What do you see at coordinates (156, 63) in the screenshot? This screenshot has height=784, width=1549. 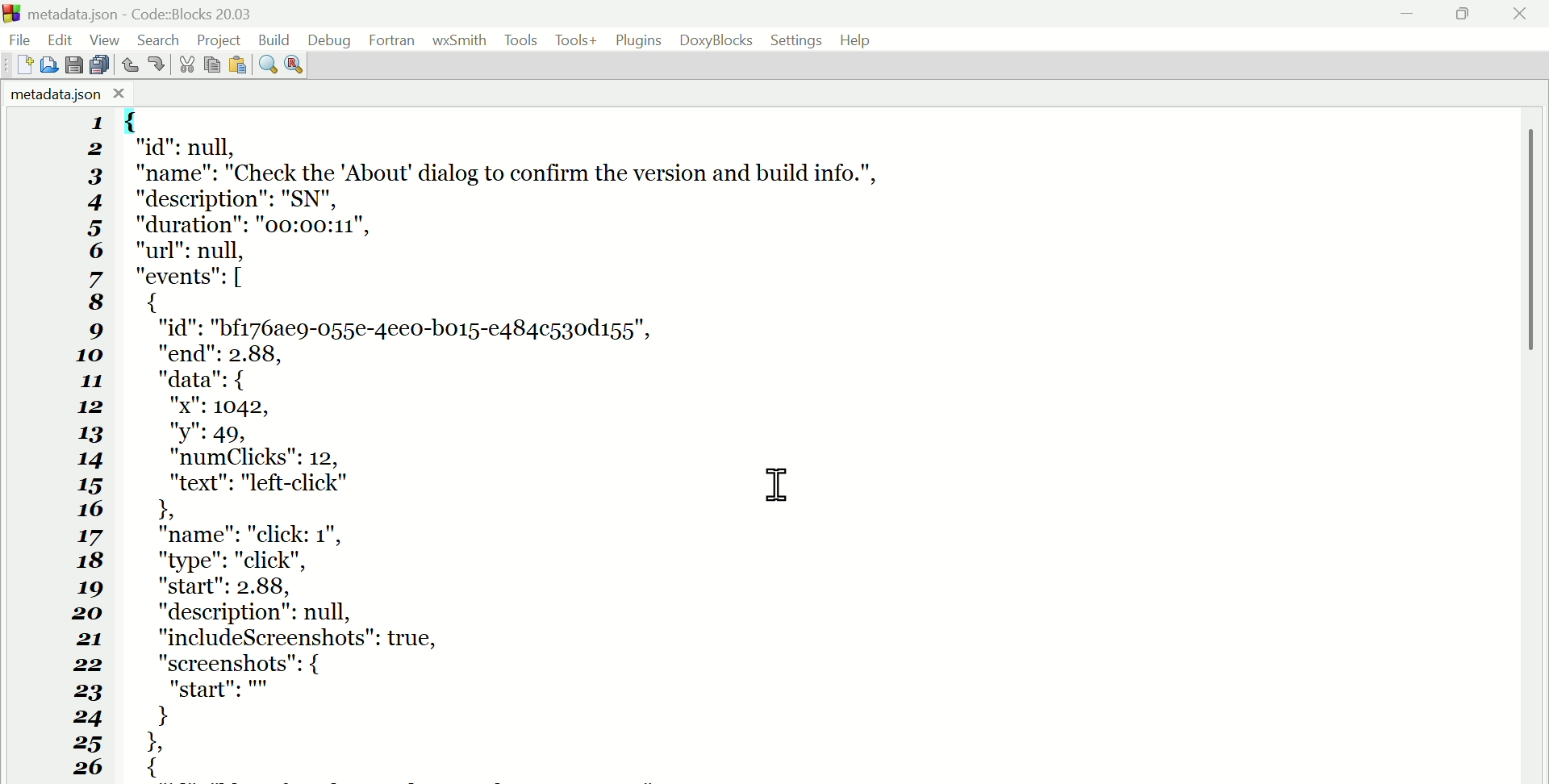 I see `Redo` at bounding box center [156, 63].